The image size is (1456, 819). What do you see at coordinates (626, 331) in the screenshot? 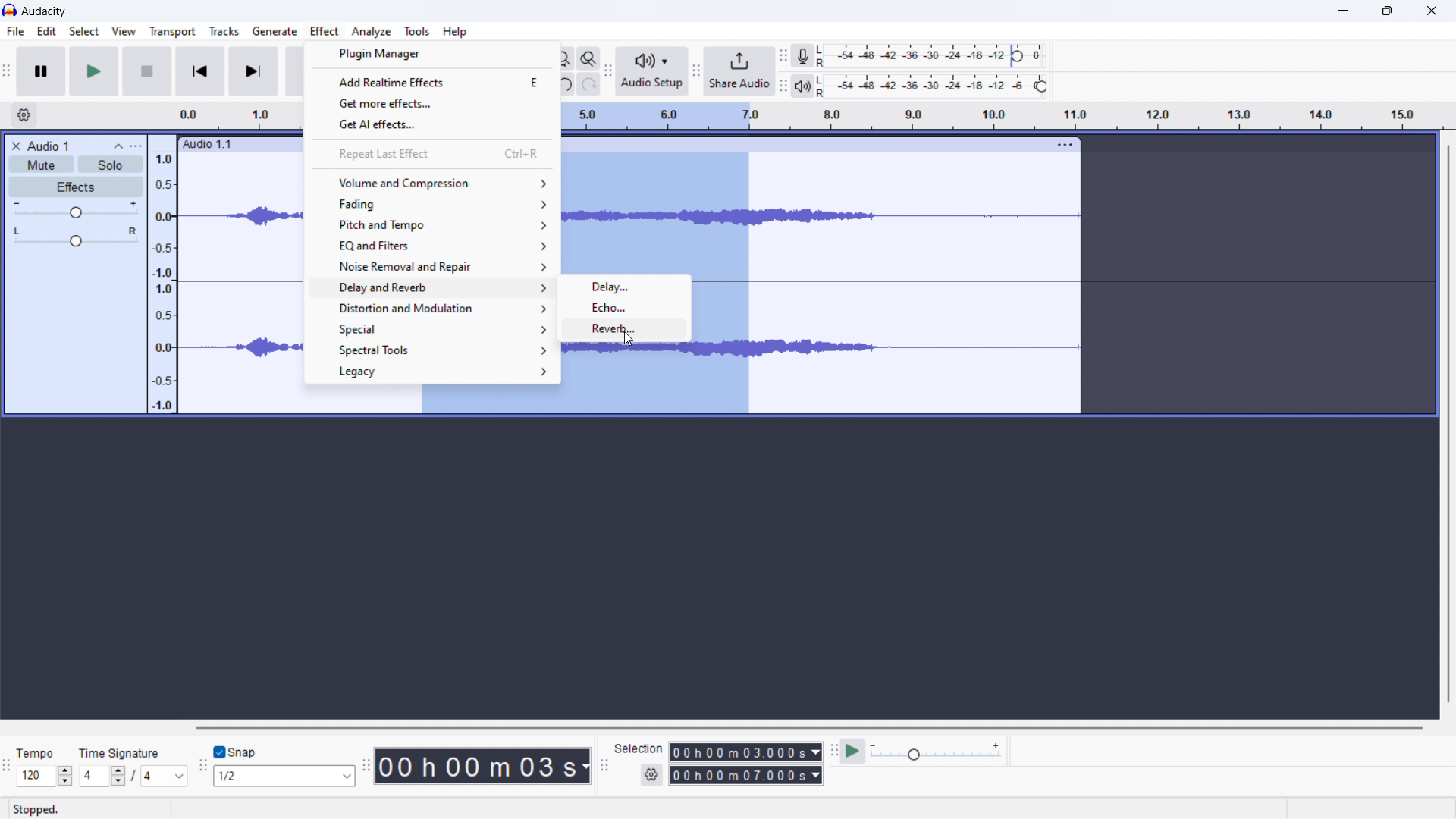
I see `reverb...` at bounding box center [626, 331].